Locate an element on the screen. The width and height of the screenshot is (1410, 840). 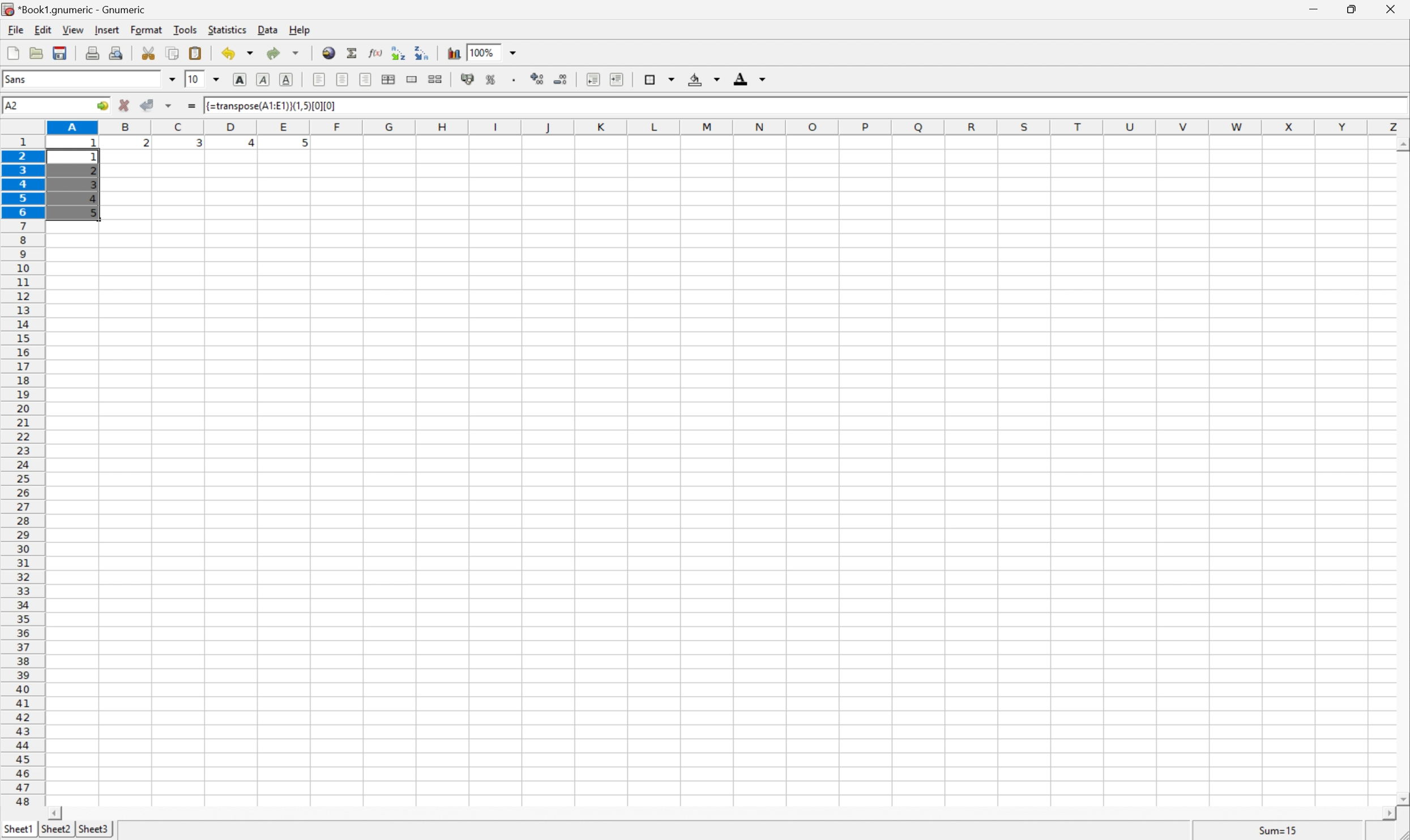
1 is located at coordinates (96, 156).